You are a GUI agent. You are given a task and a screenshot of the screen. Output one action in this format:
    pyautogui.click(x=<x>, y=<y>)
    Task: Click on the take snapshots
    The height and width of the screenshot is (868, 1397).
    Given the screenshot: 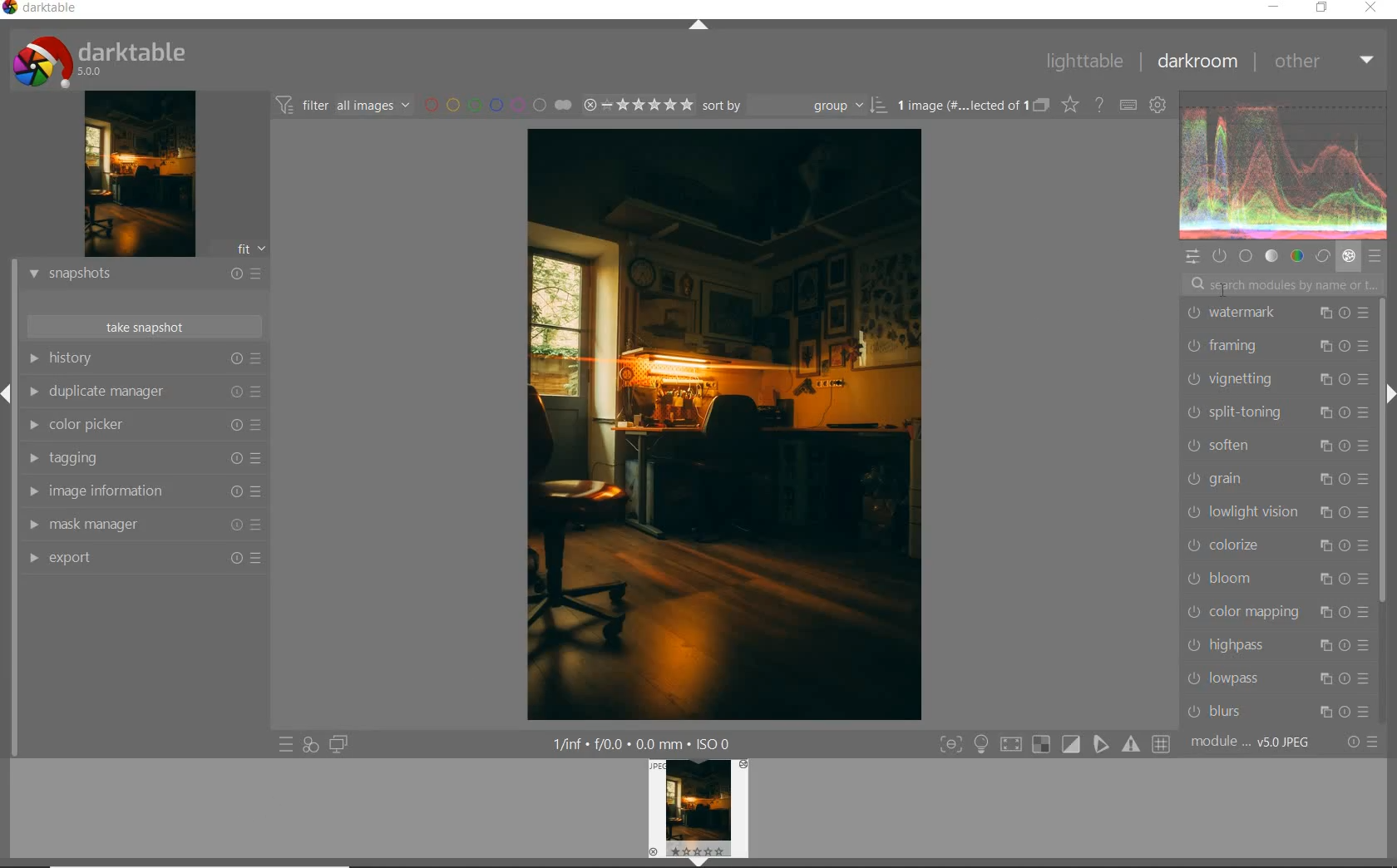 What is the action you would take?
    pyautogui.click(x=146, y=326)
    